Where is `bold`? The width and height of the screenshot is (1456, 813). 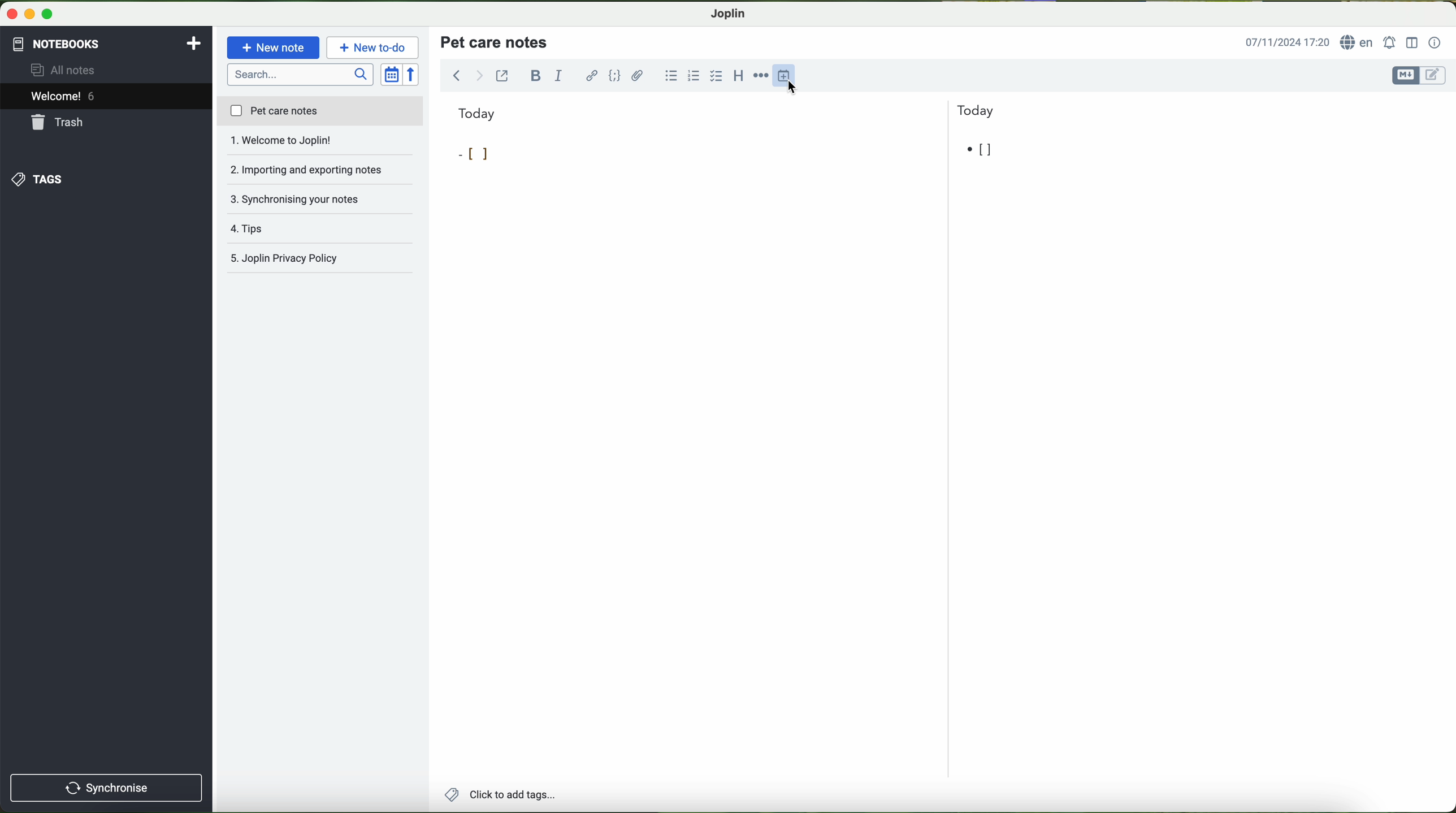 bold is located at coordinates (536, 75).